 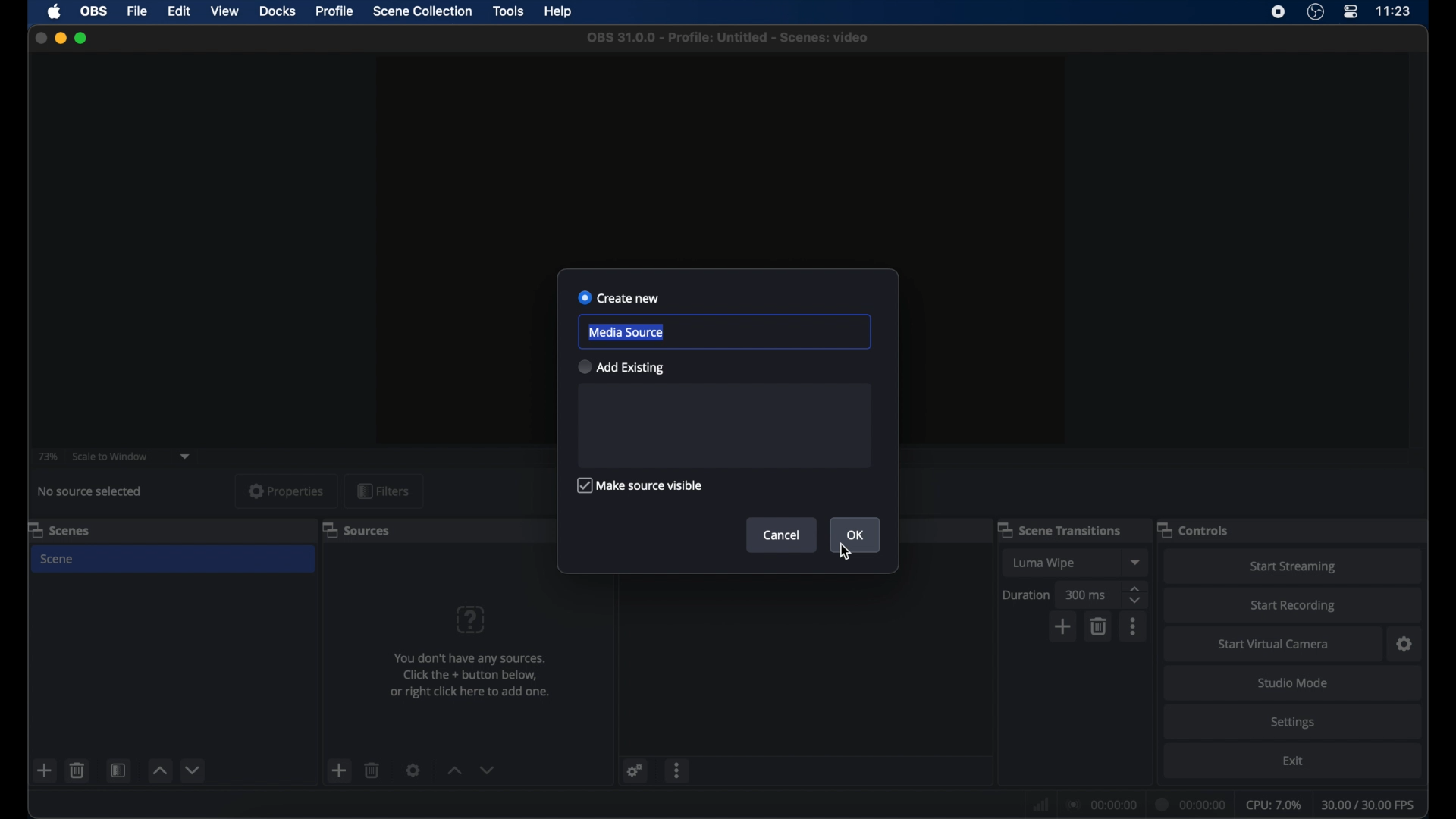 I want to click on dropdown, so click(x=185, y=457).